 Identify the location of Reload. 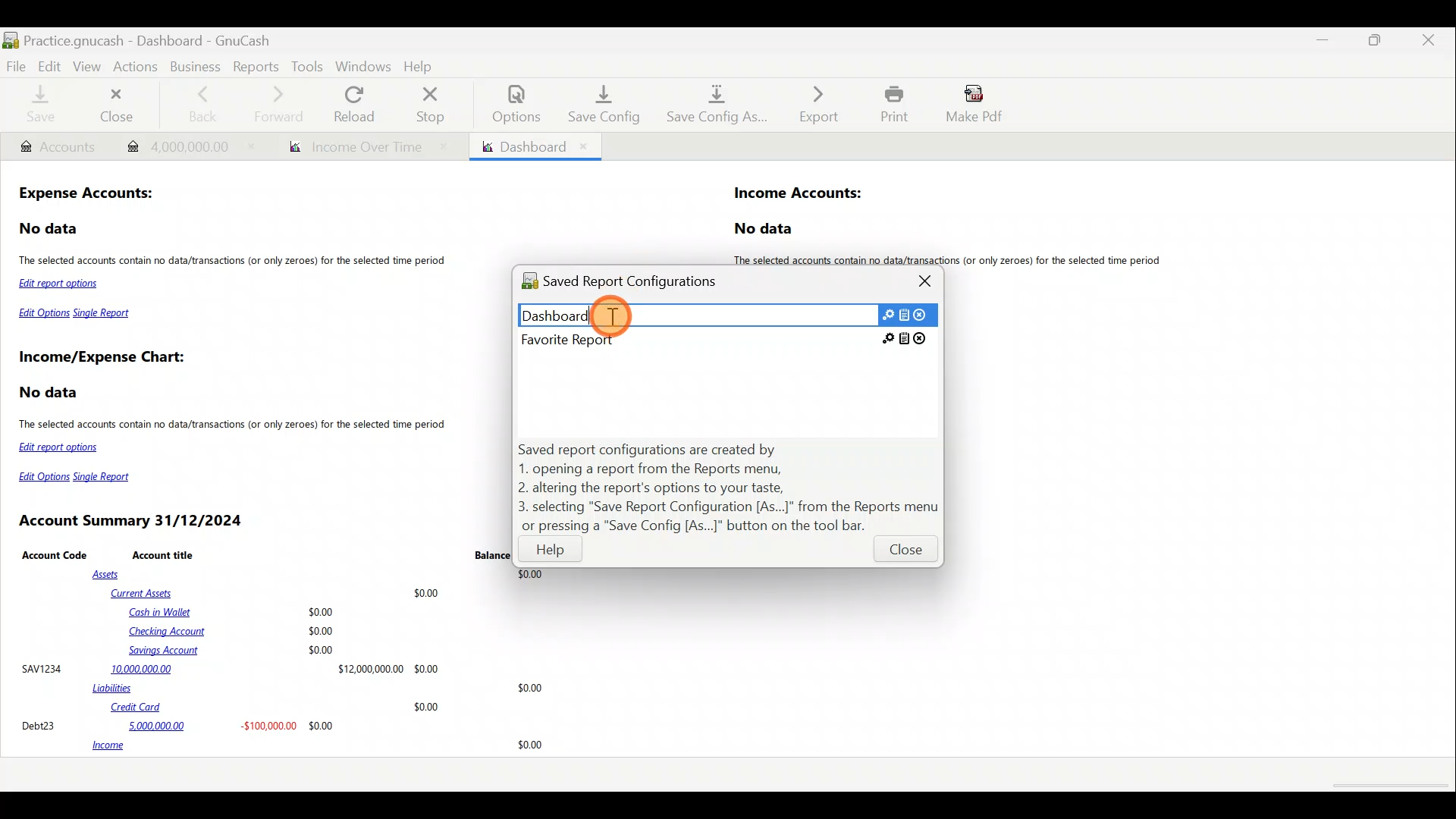
(357, 104).